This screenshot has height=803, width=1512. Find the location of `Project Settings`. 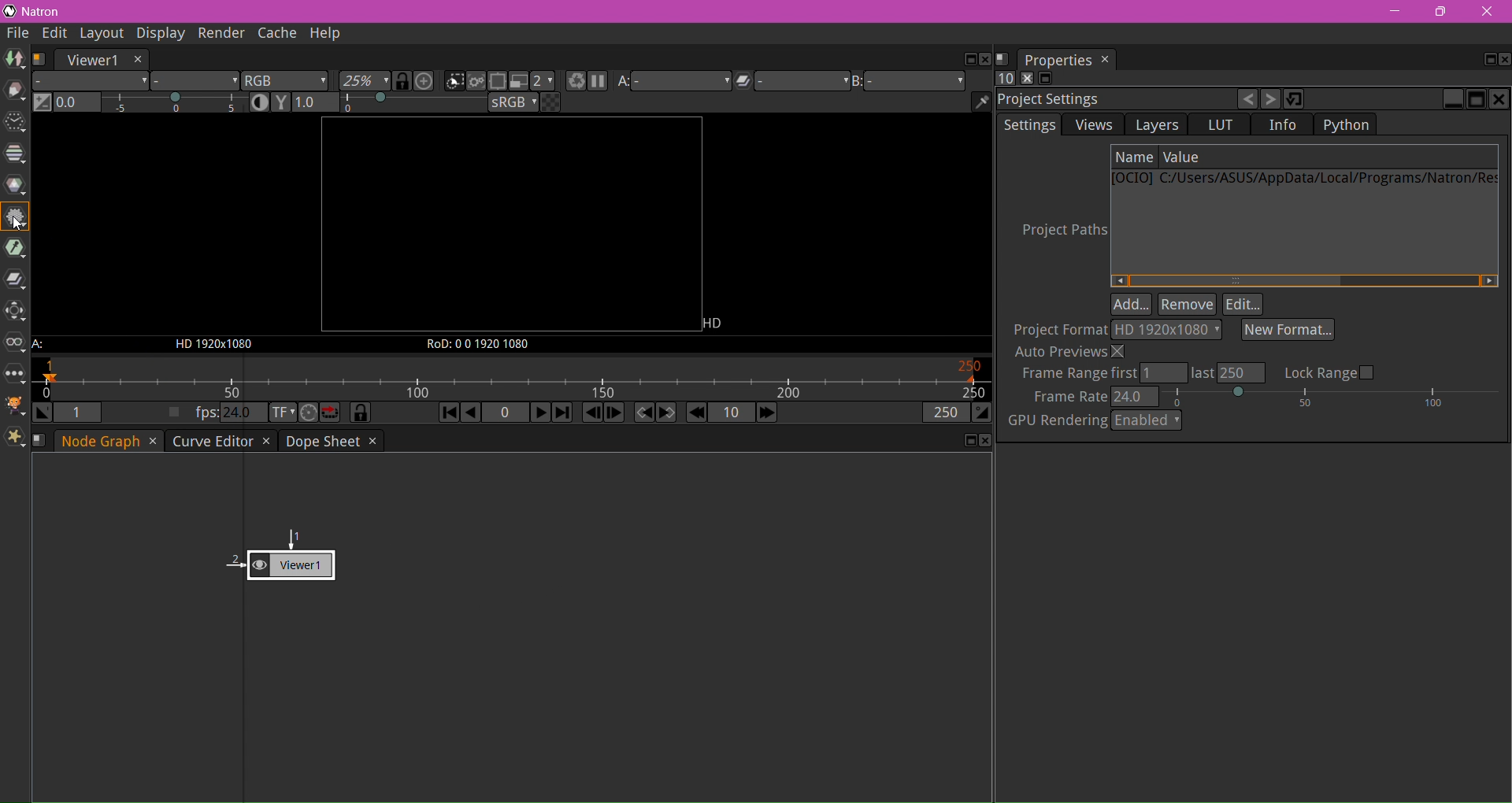

Project Settings is located at coordinates (1053, 100).